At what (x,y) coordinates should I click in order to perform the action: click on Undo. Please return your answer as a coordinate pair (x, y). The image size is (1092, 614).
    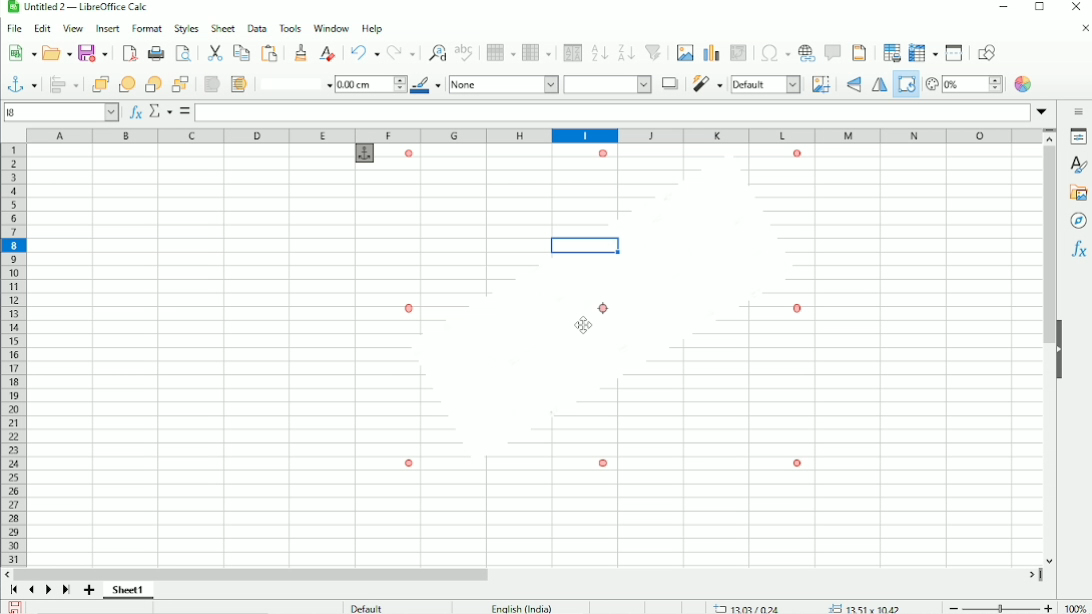
    Looking at the image, I should click on (363, 53).